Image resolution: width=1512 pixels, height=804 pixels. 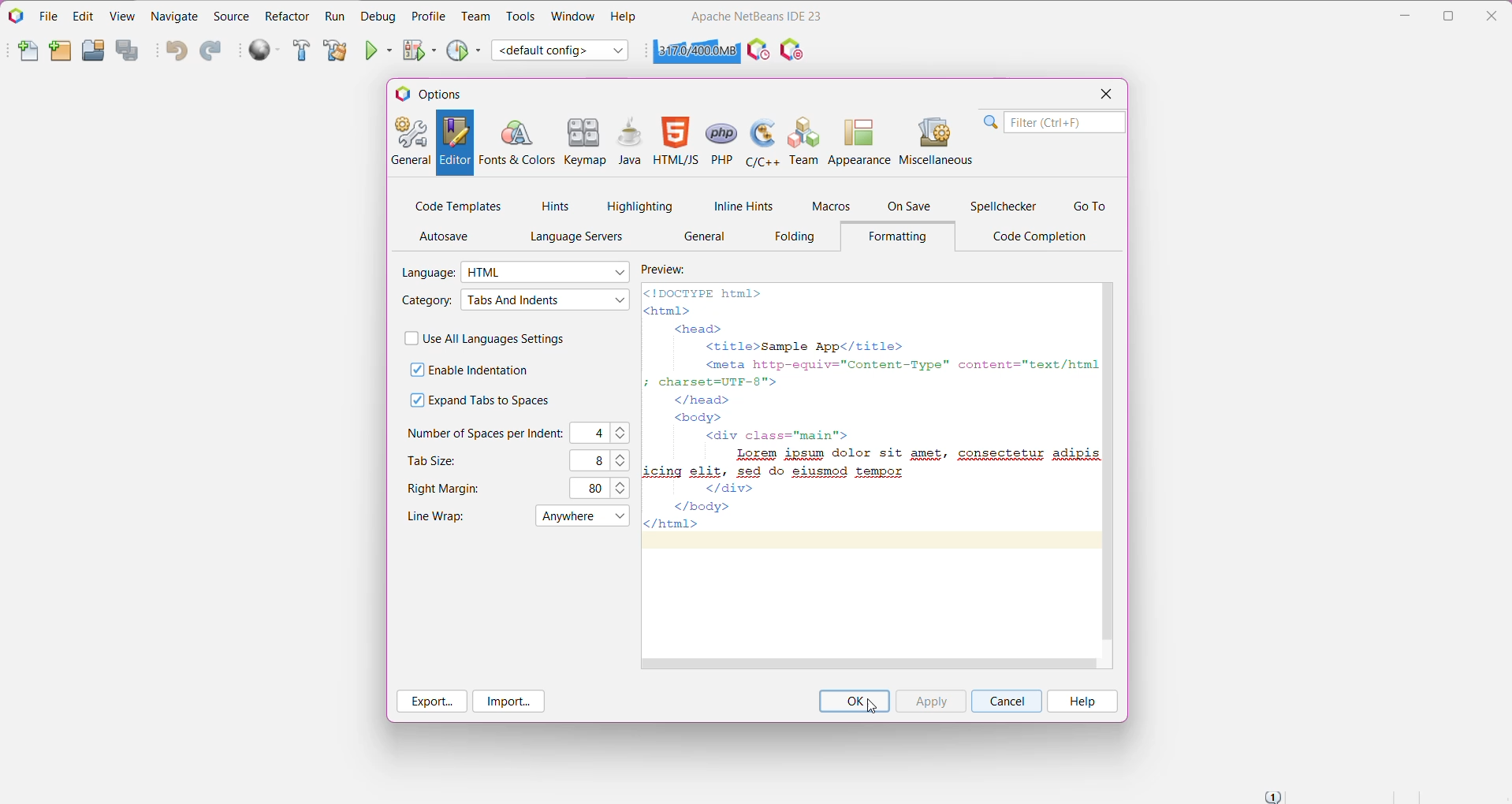 What do you see at coordinates (802, 345) in the screenshot?
I see `<title>Sample App</title>` at bounding box center [802, 345].